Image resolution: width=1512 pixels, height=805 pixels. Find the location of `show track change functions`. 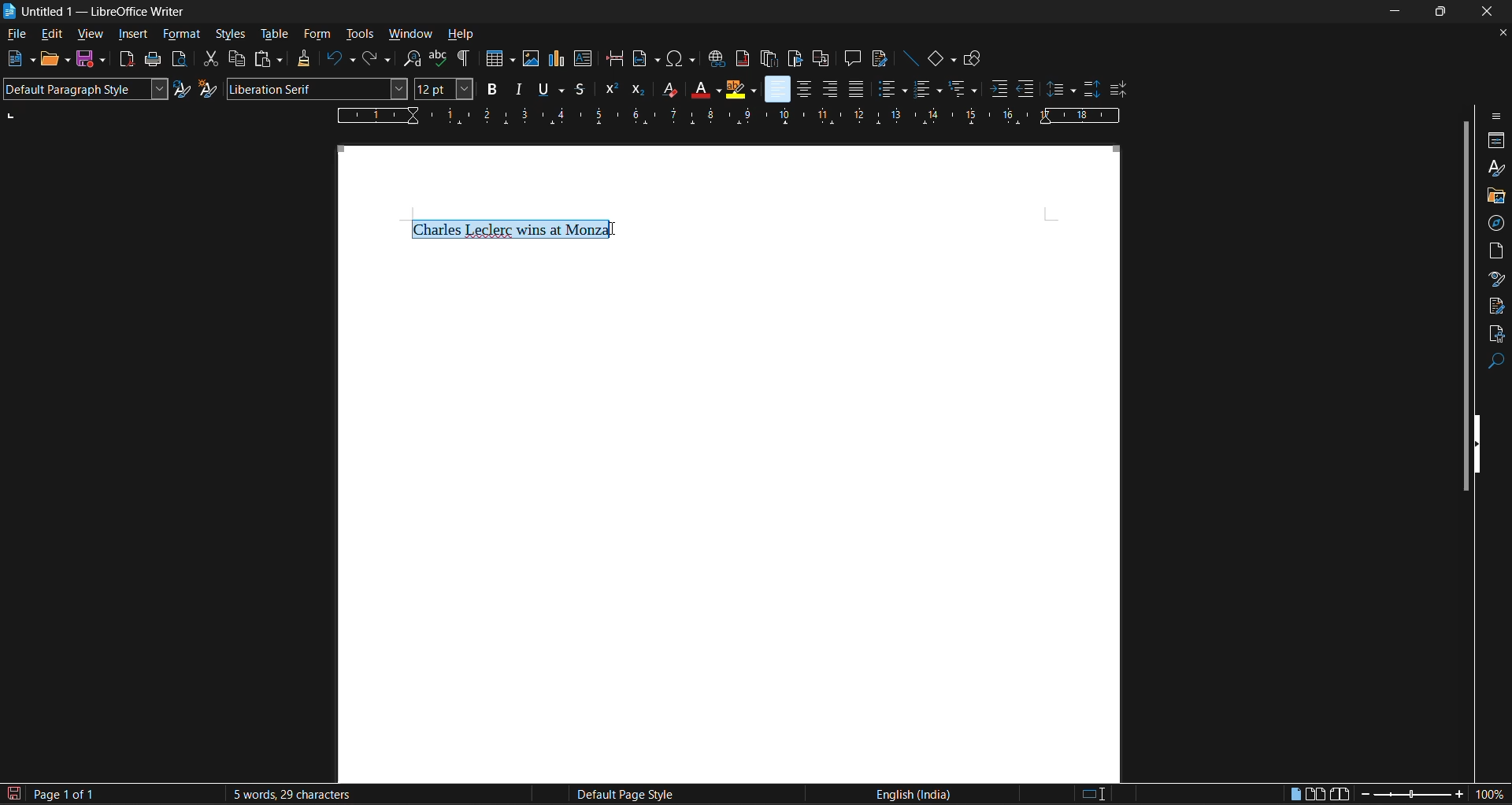

show track change functions is located at coordinates (880, 58).